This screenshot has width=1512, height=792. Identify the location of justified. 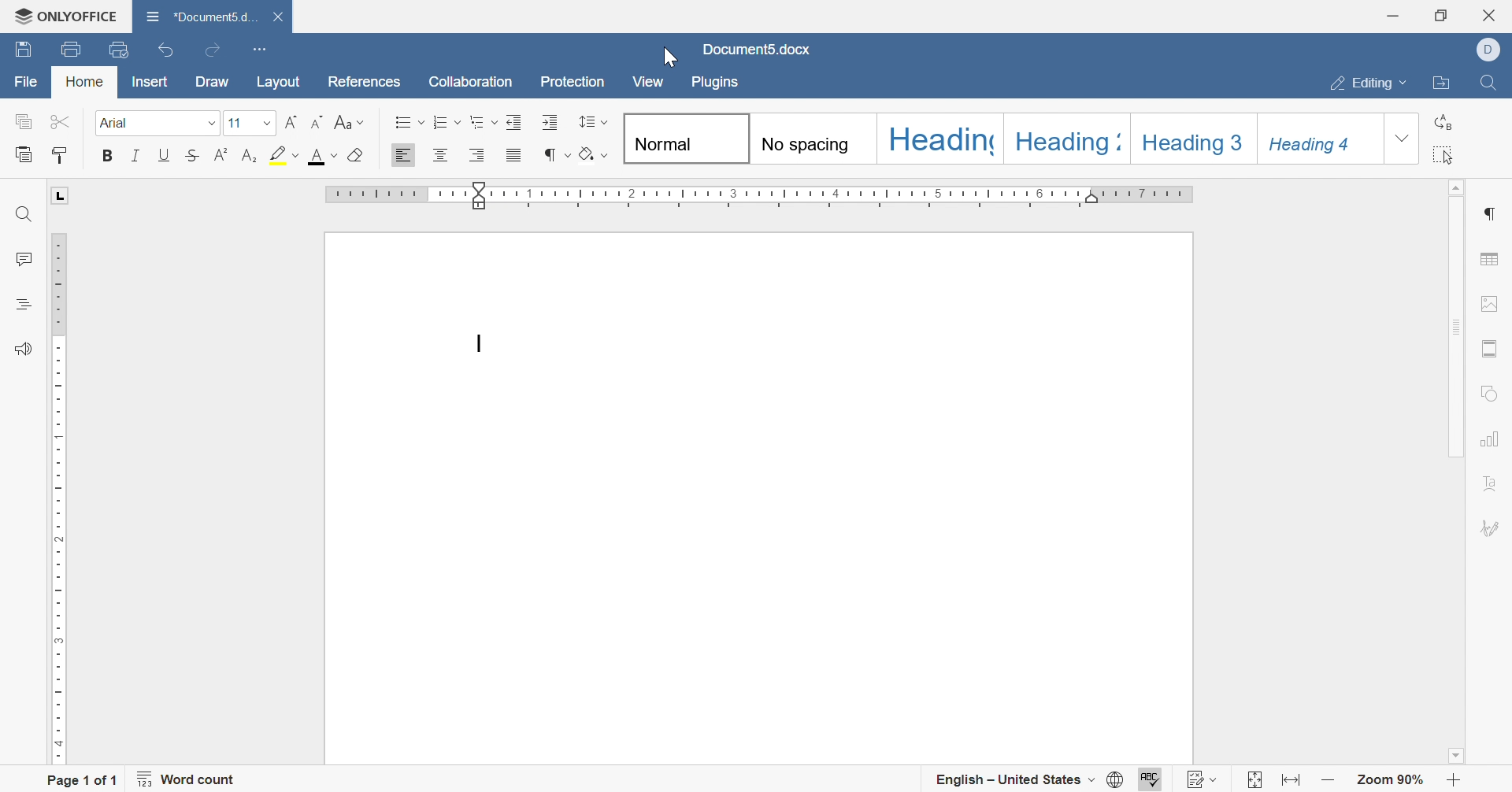
(513, 157).